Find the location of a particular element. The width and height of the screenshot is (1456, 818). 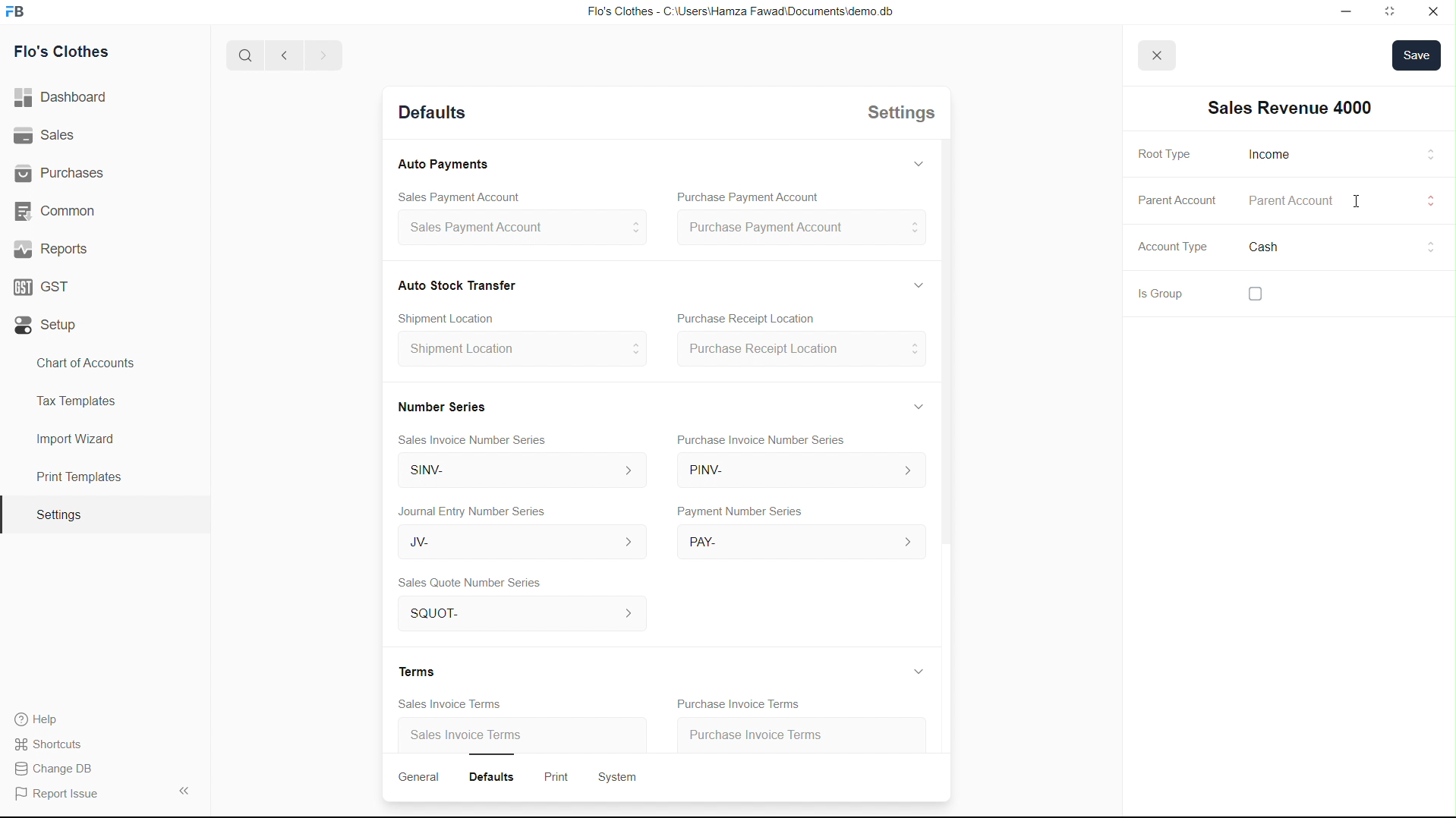

Defaults is located at coordinates (498, 775).